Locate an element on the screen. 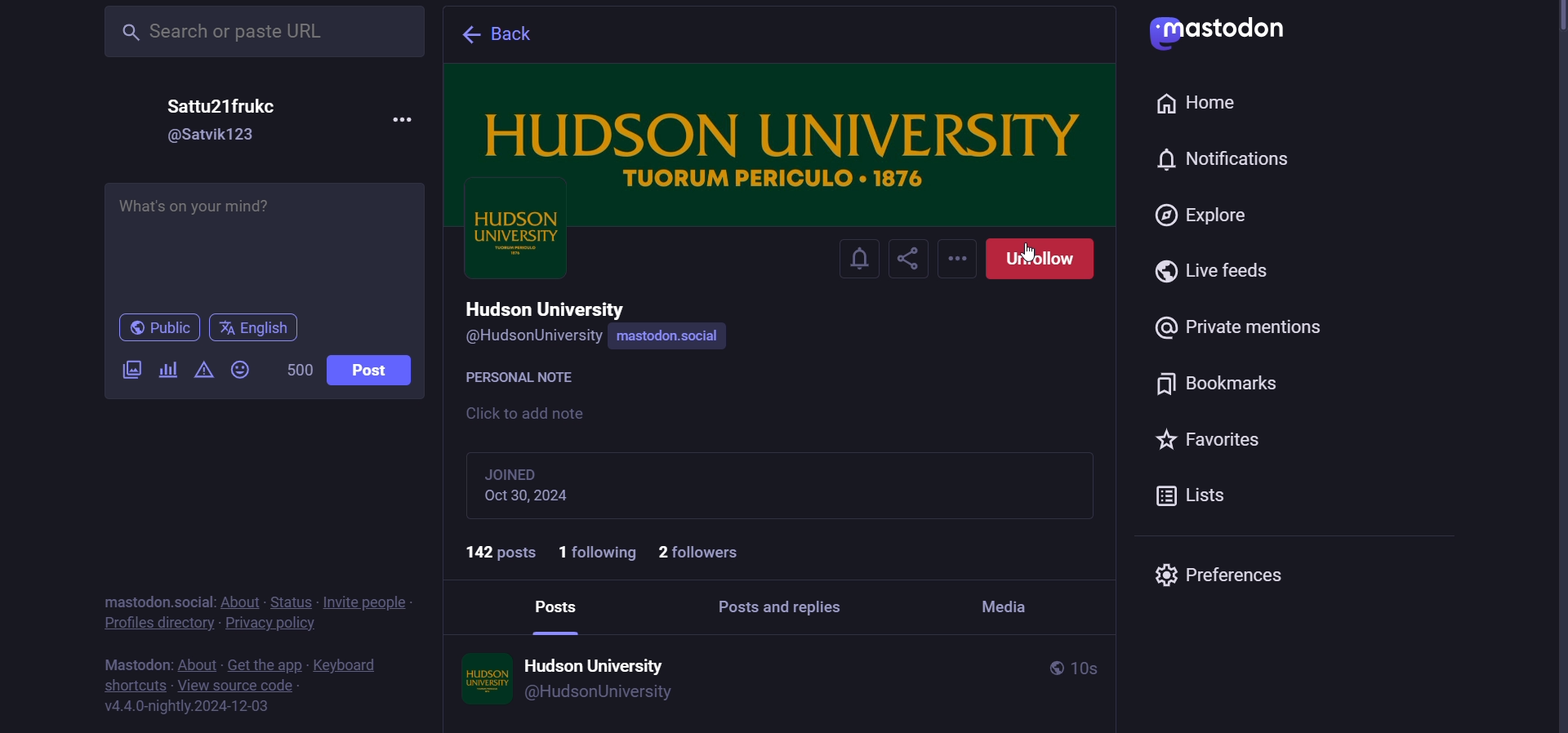 This screenshot has height=733, width=1568. mastodon is located at coordinates (136, 602).